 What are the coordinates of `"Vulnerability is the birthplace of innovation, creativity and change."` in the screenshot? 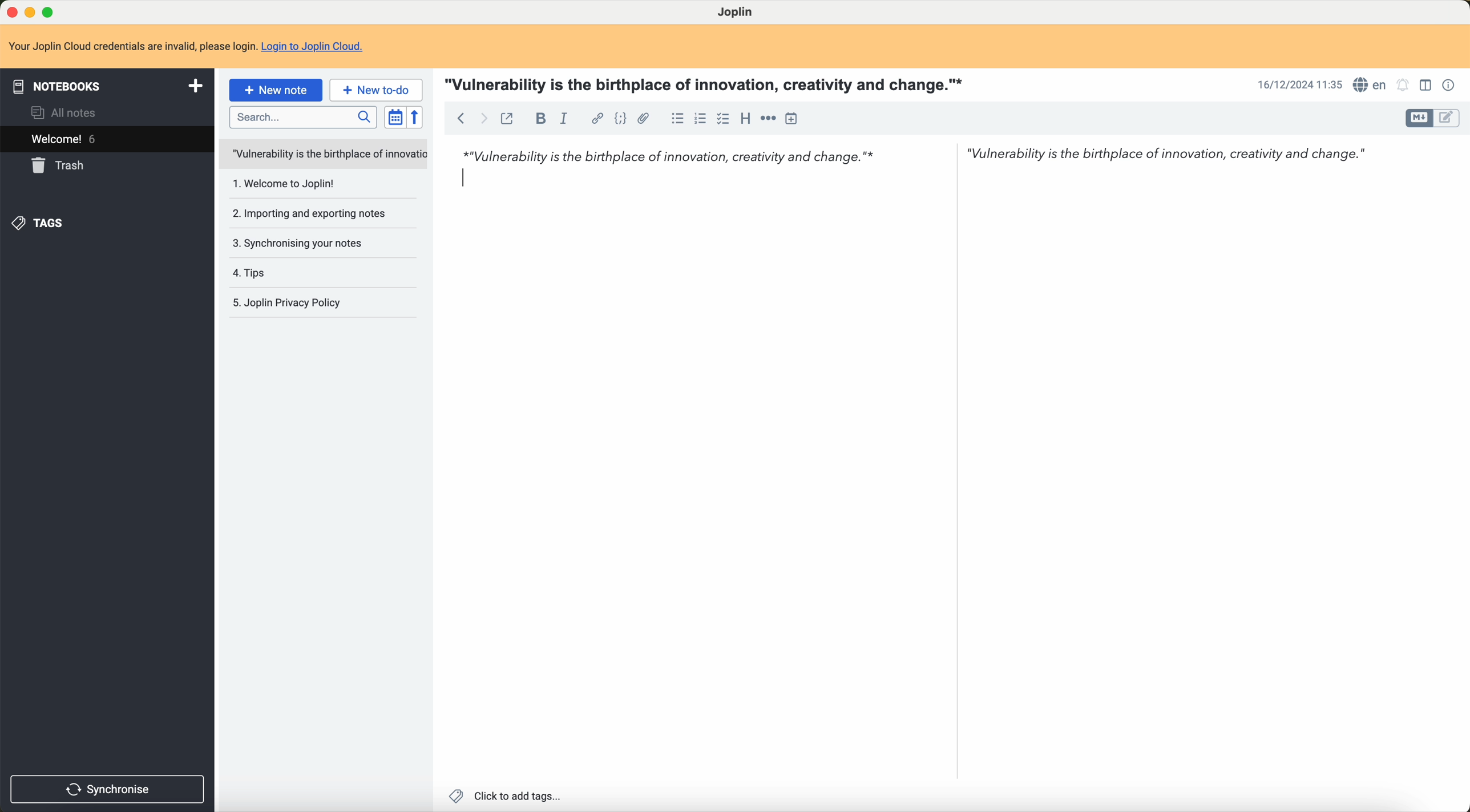 It's located at (1174, 157).